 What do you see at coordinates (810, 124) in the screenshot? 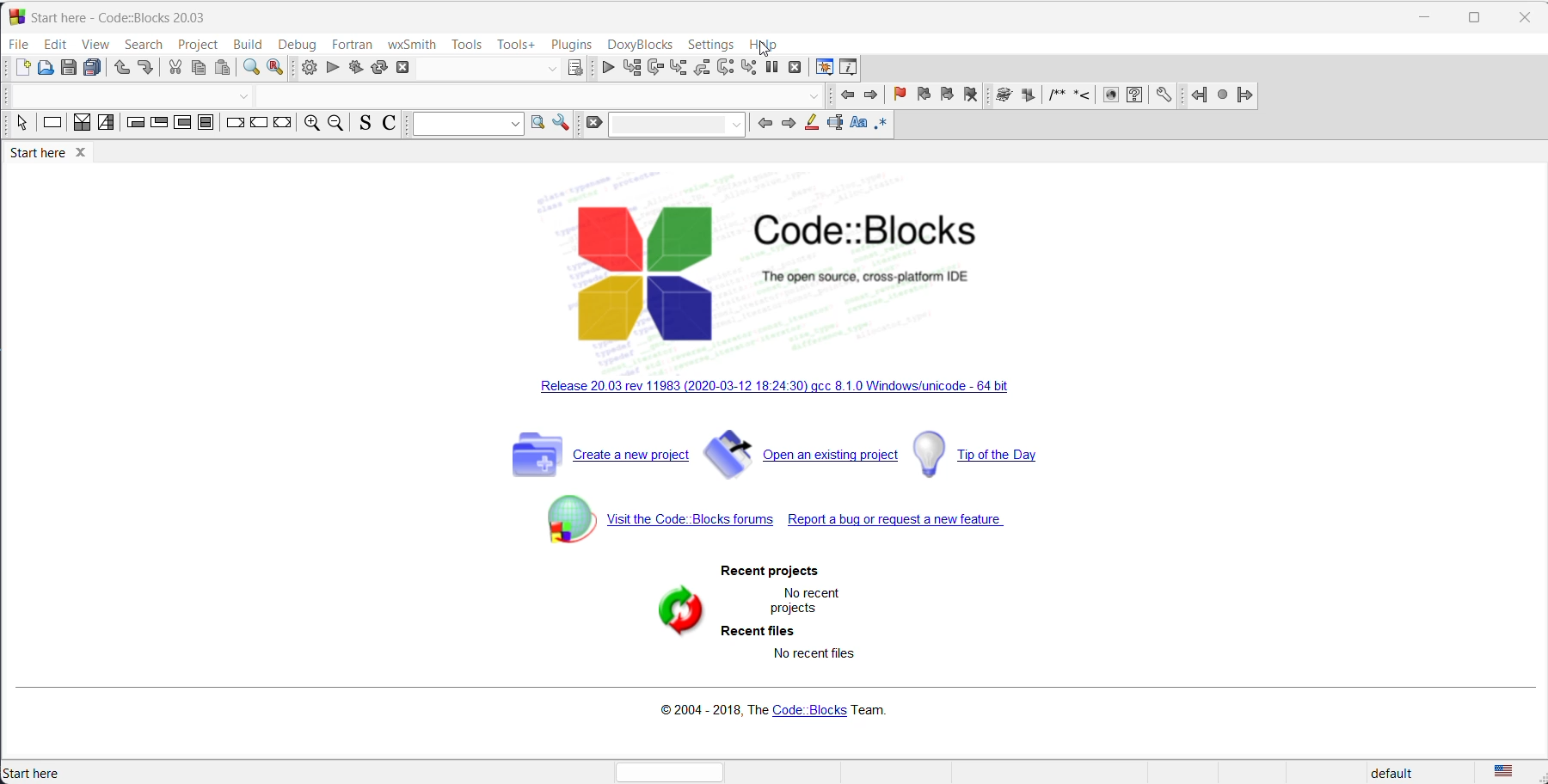
I see `highlight` at bounding box center [810, 124].